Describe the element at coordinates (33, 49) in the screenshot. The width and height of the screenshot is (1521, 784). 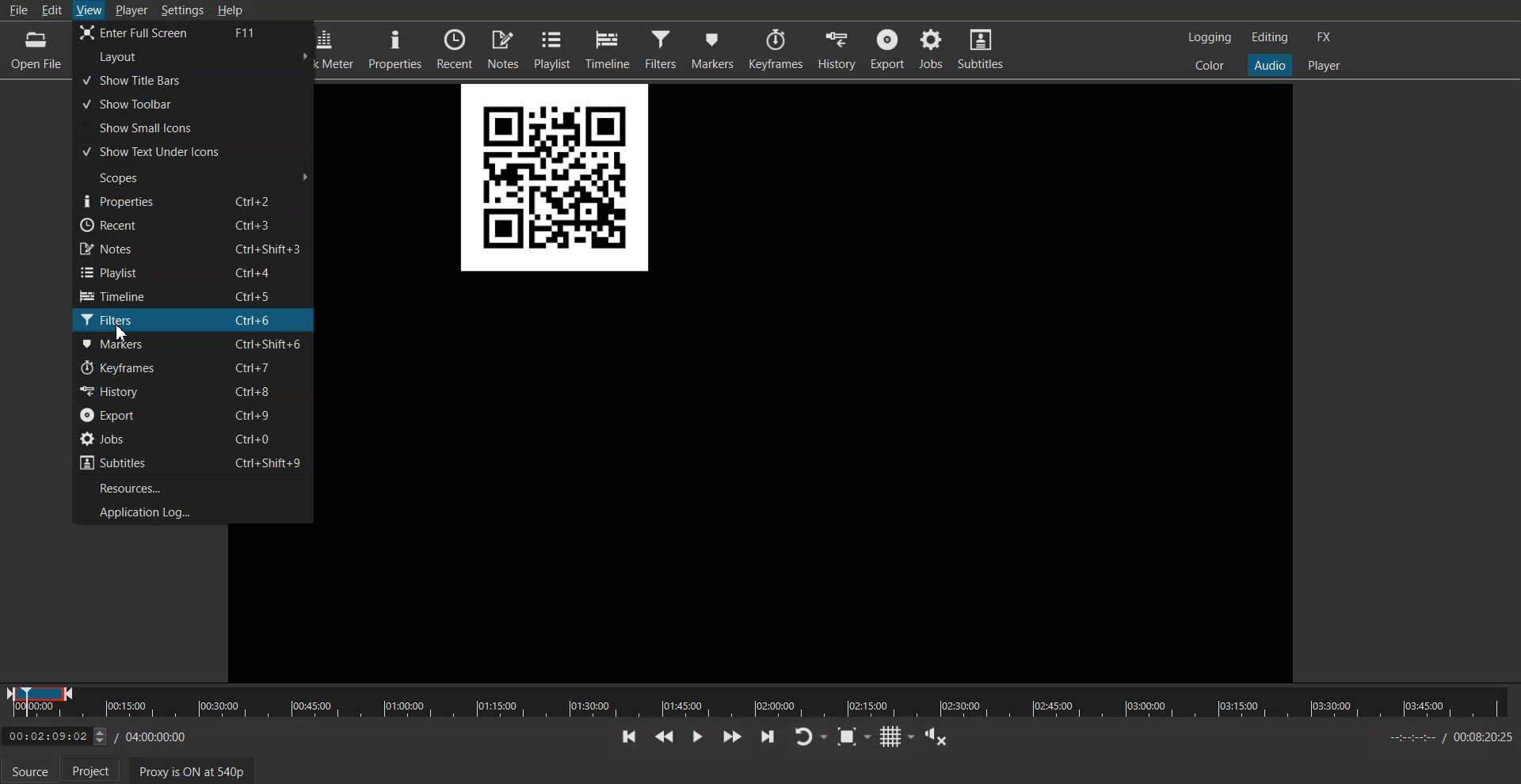
I see `Open File` at that location.